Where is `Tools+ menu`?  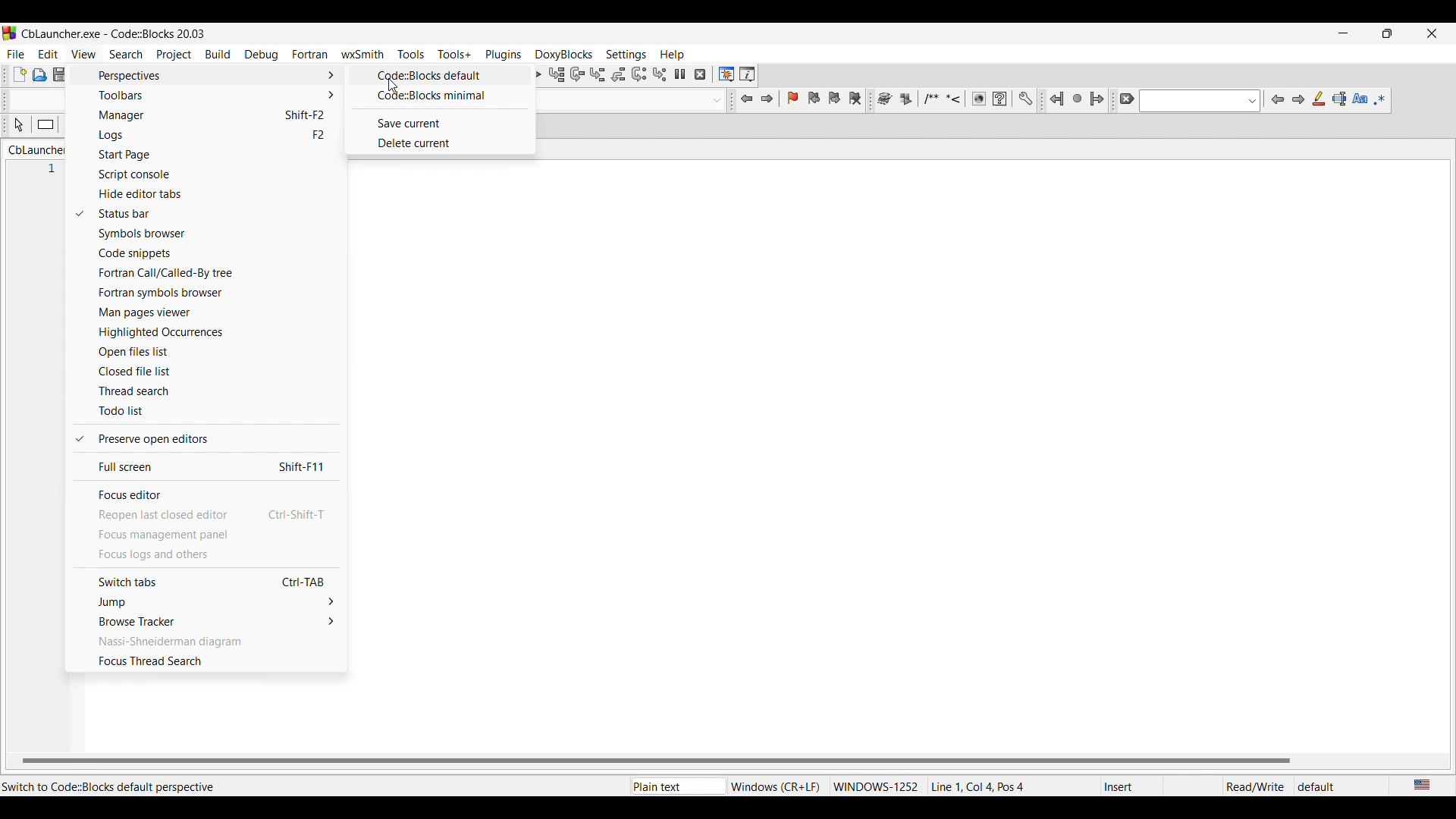
Tools+ menu is located at coordinates (454, 54).